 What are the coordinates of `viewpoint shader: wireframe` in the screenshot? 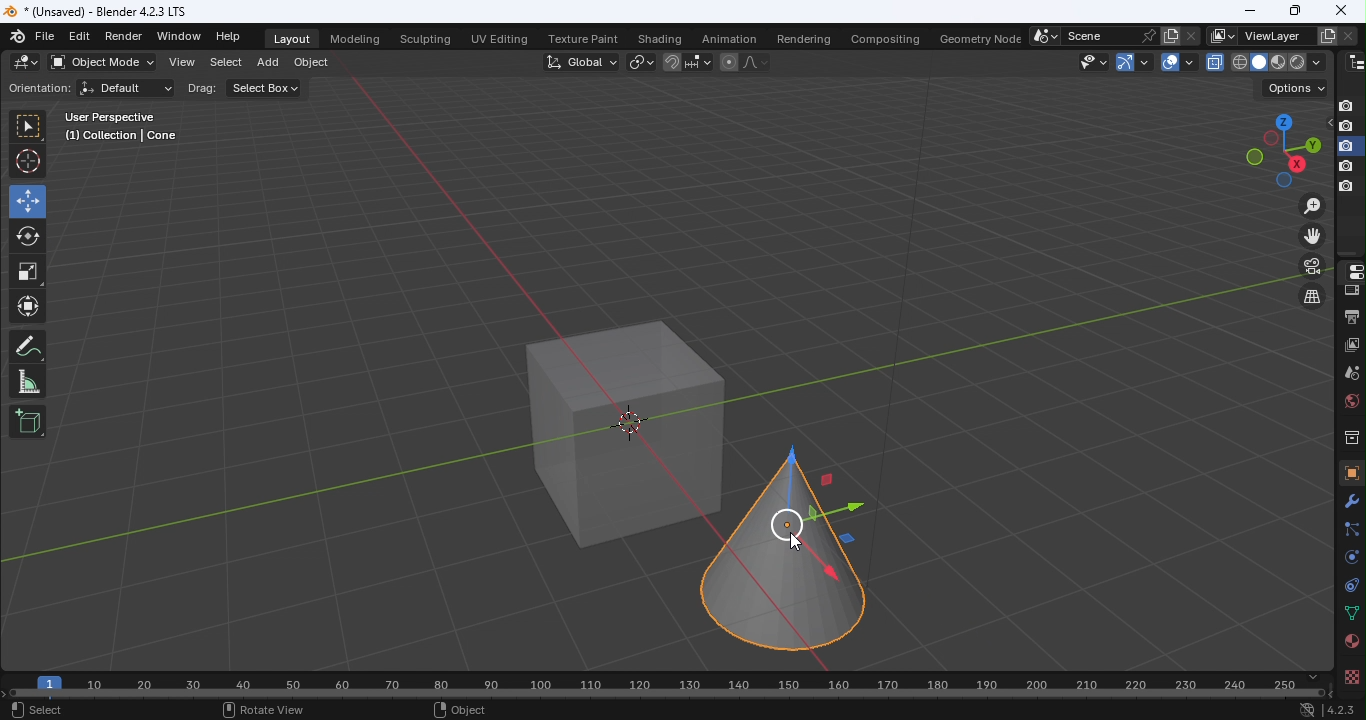 It's located at (1239, 61).